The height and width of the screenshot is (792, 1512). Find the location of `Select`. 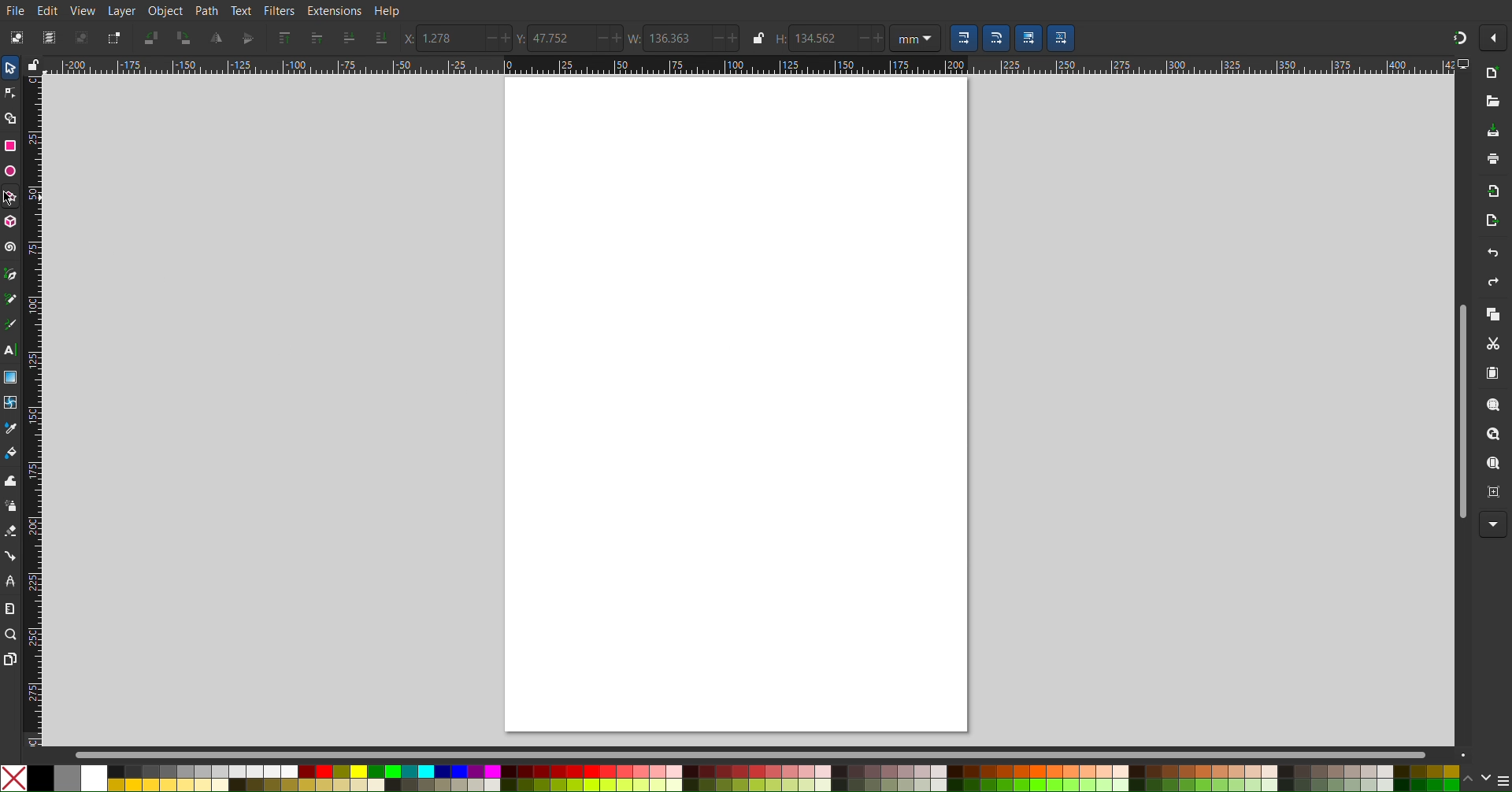

Select is located at coordinates (9, 68).